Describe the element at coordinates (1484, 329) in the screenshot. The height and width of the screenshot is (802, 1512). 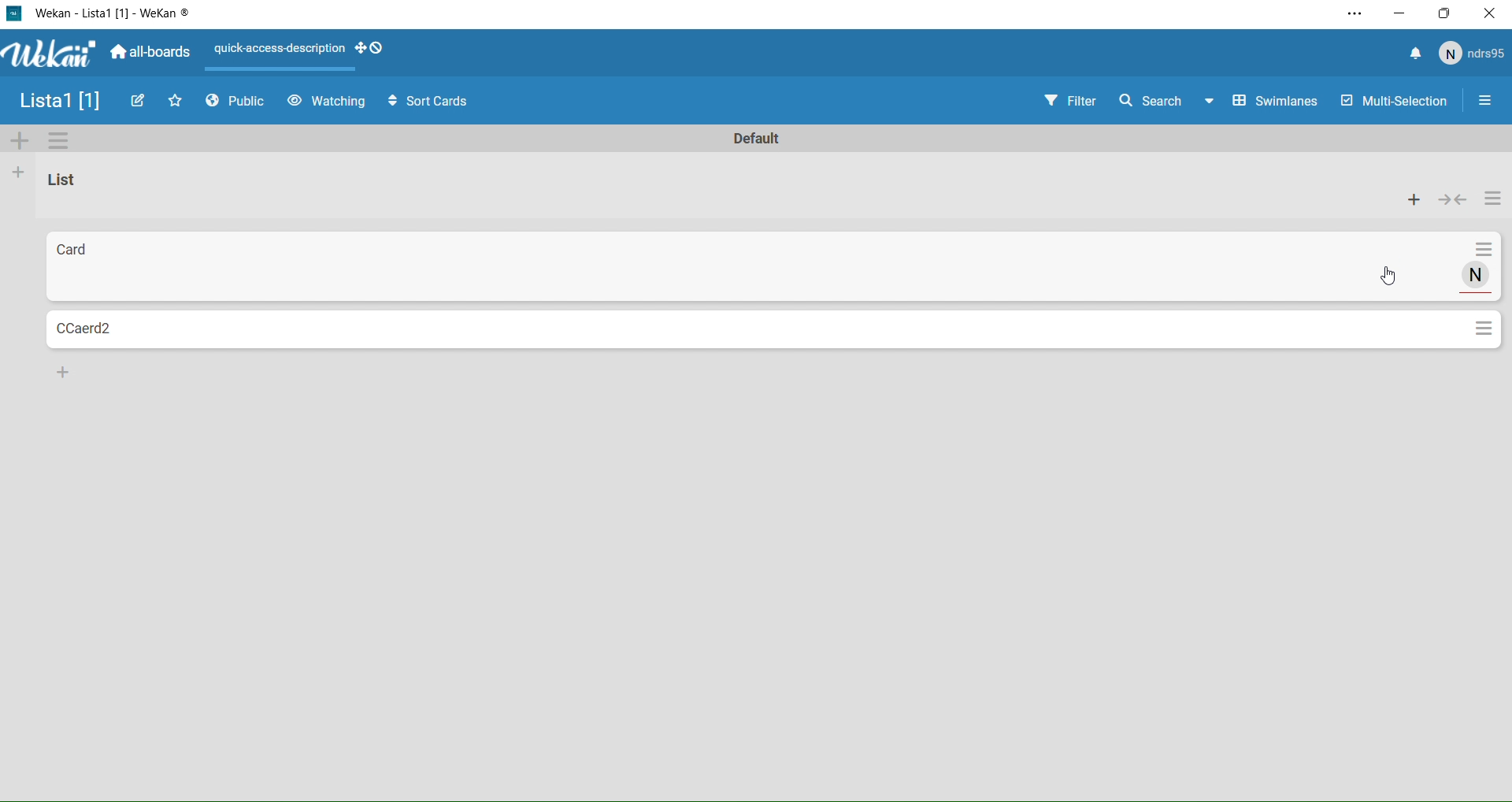
I see `actions` at that location.